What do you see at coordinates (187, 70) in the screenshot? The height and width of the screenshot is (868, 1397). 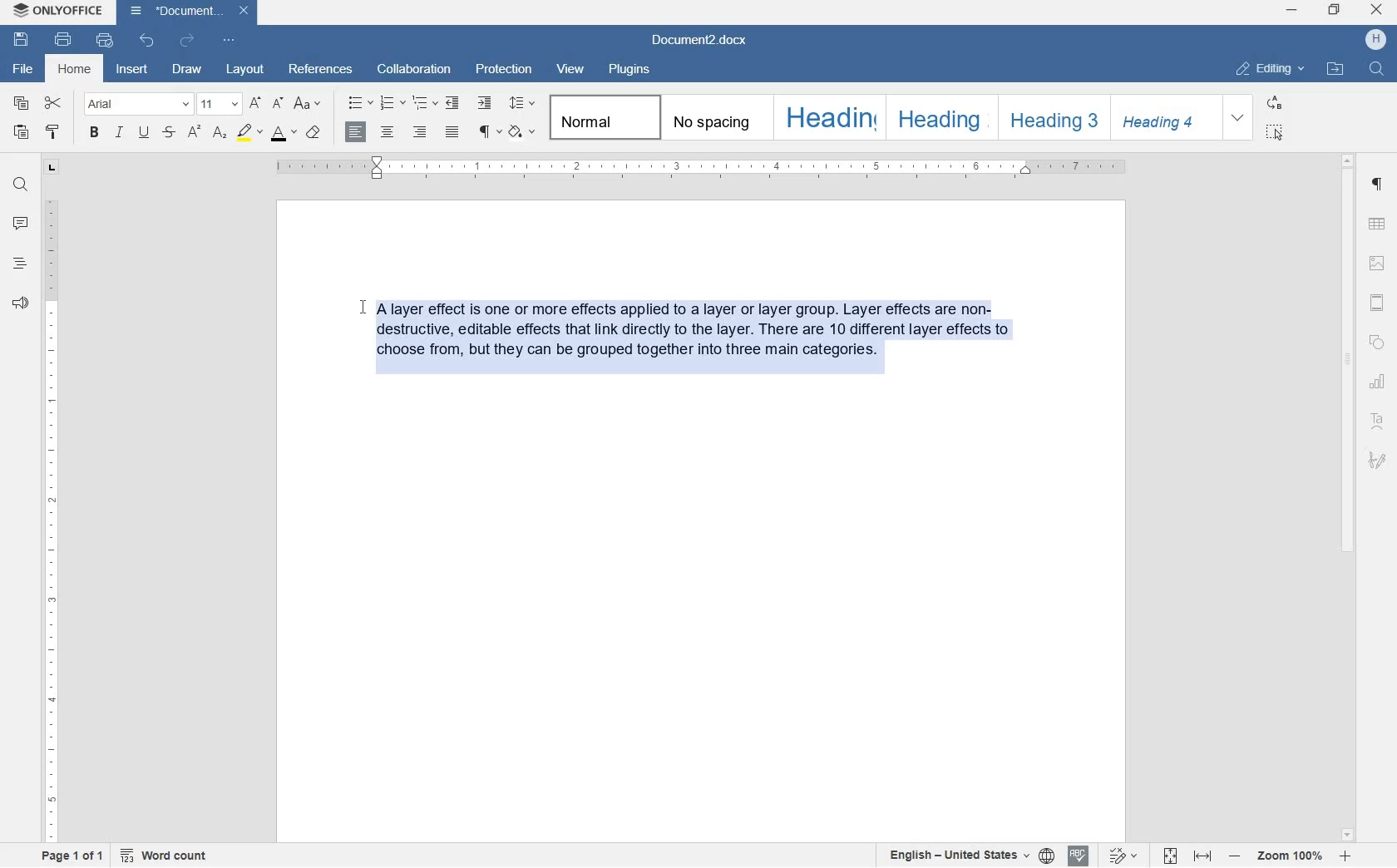 I see `draw` at bounding box center [187, 70].